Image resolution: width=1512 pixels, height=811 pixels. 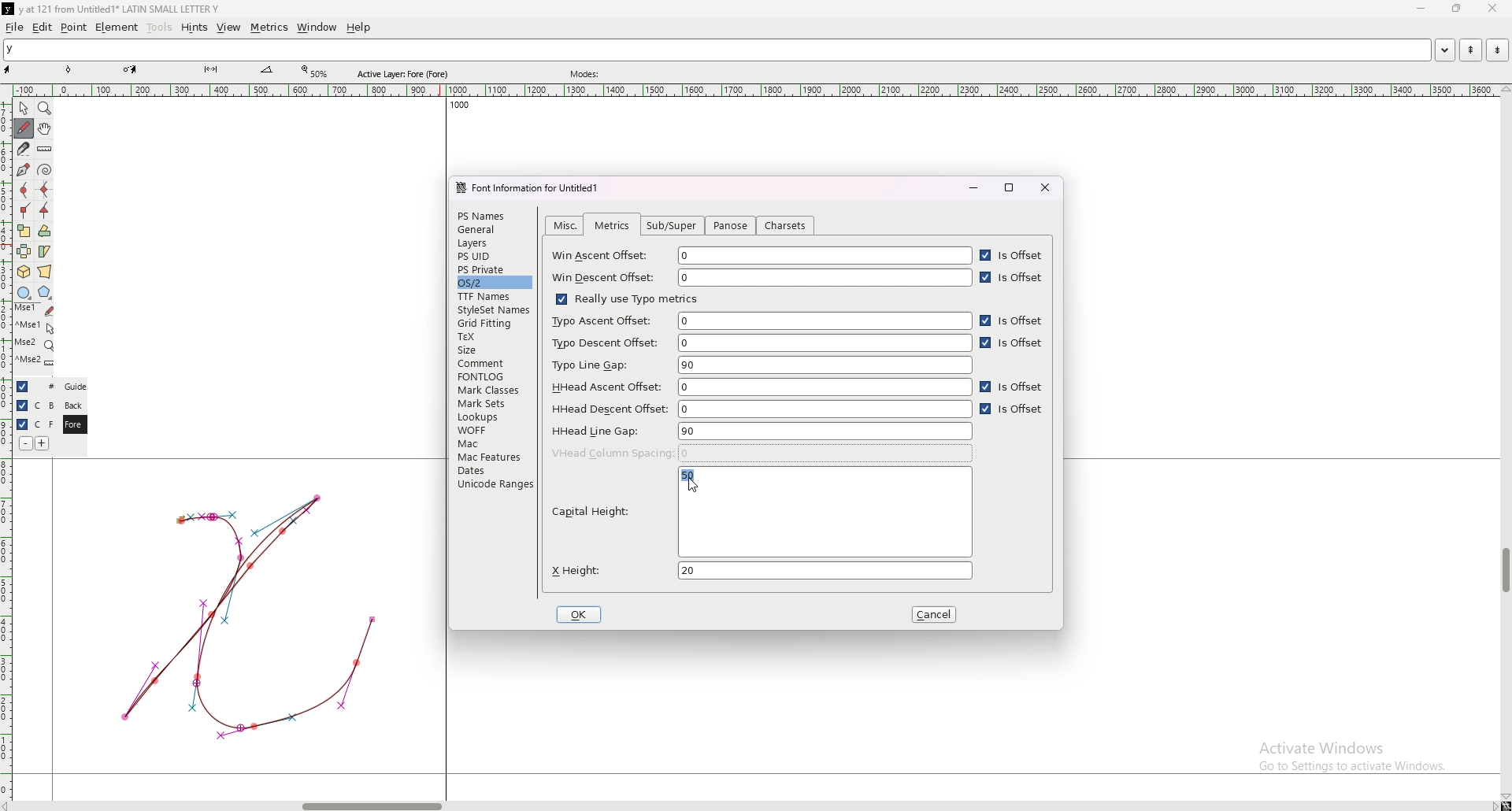 What do you see at coordinates (22, 424) in the screenshot?
I see `hide layer` at bounding box center [22, 424].